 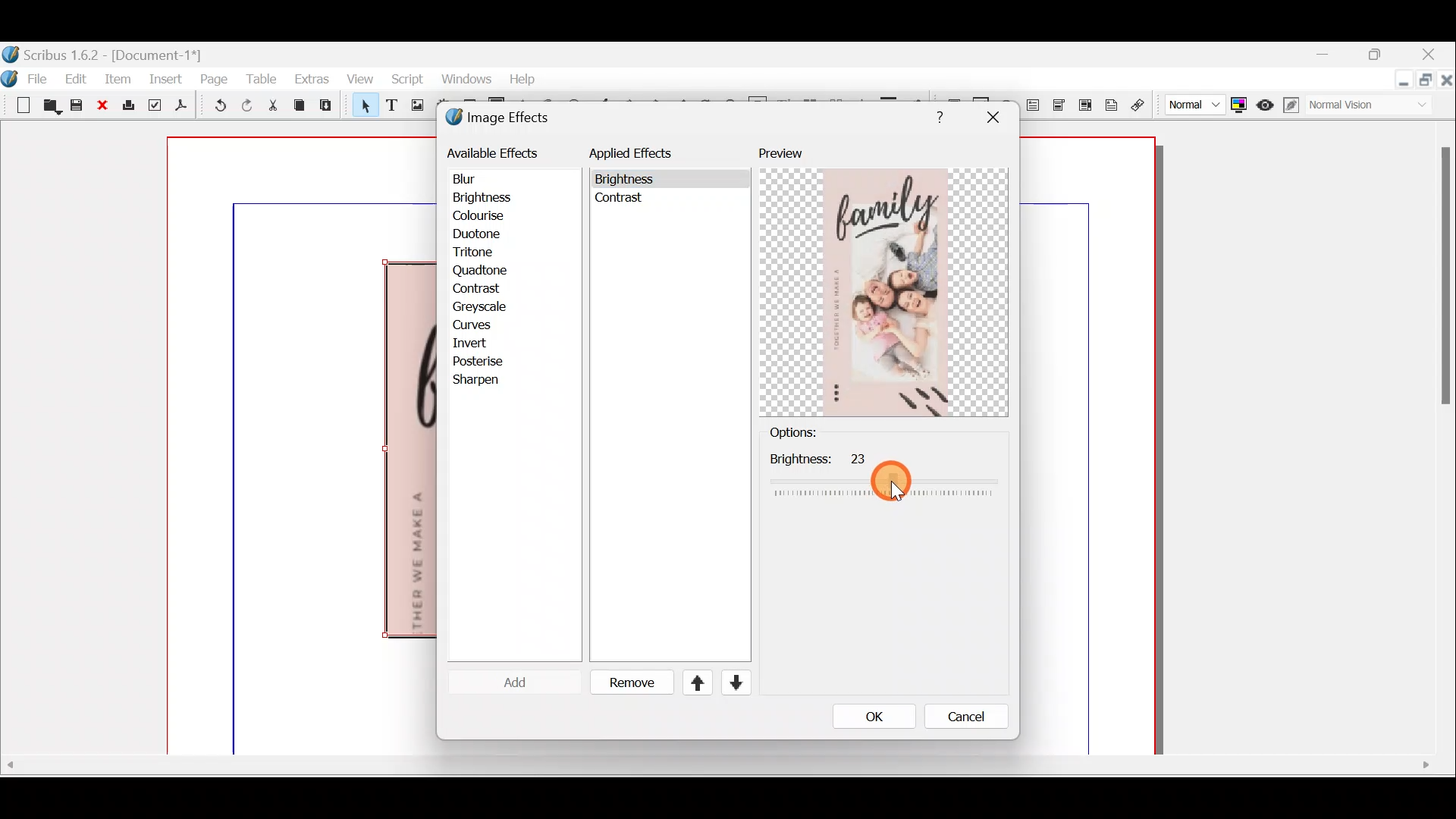 What do you see at coordinates (479, 178) in the screenshot?
I see `Blur` at bounding box center [479, 178].